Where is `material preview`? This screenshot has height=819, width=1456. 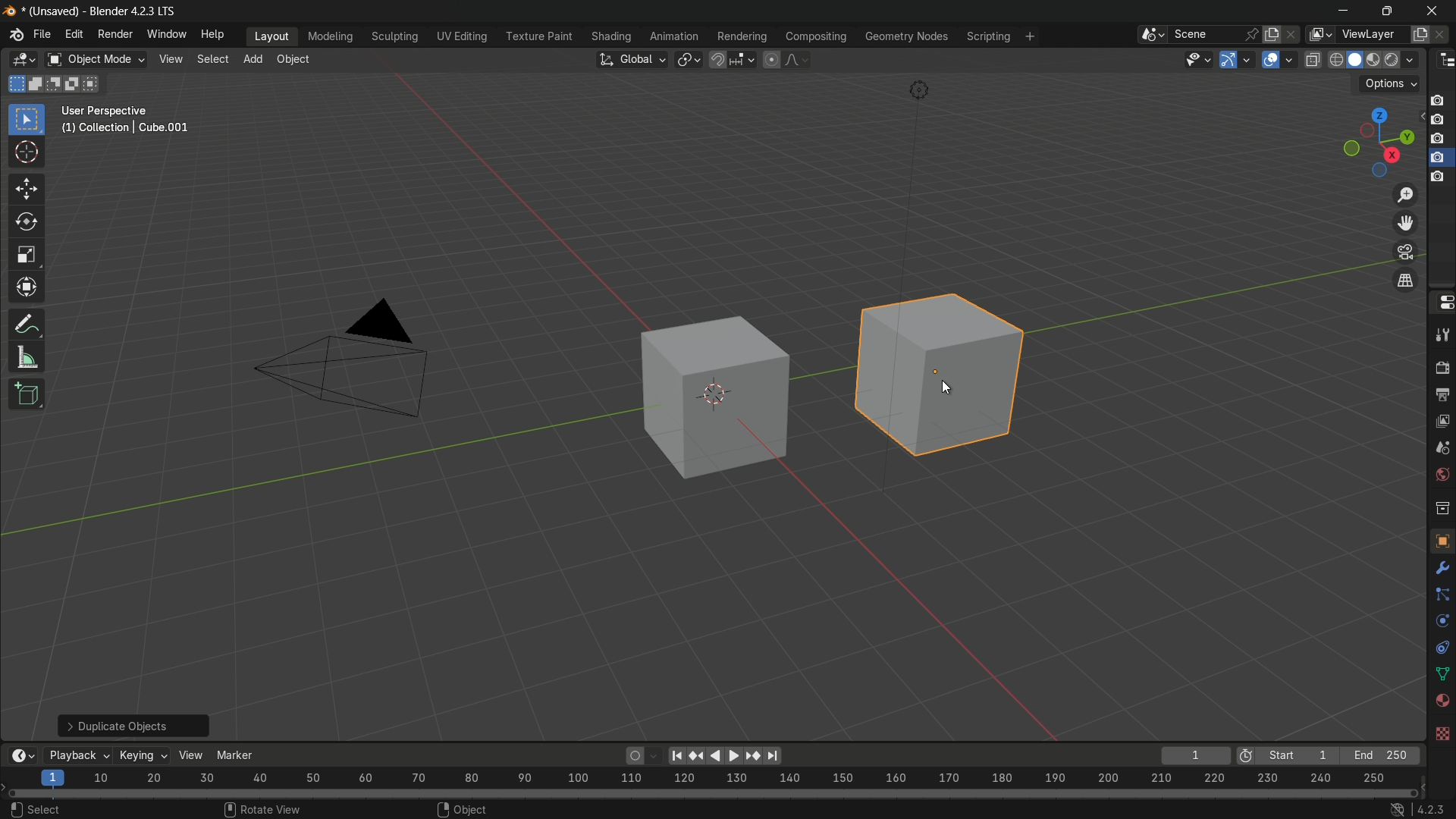 material preview is located at coordinates (1376, 60).